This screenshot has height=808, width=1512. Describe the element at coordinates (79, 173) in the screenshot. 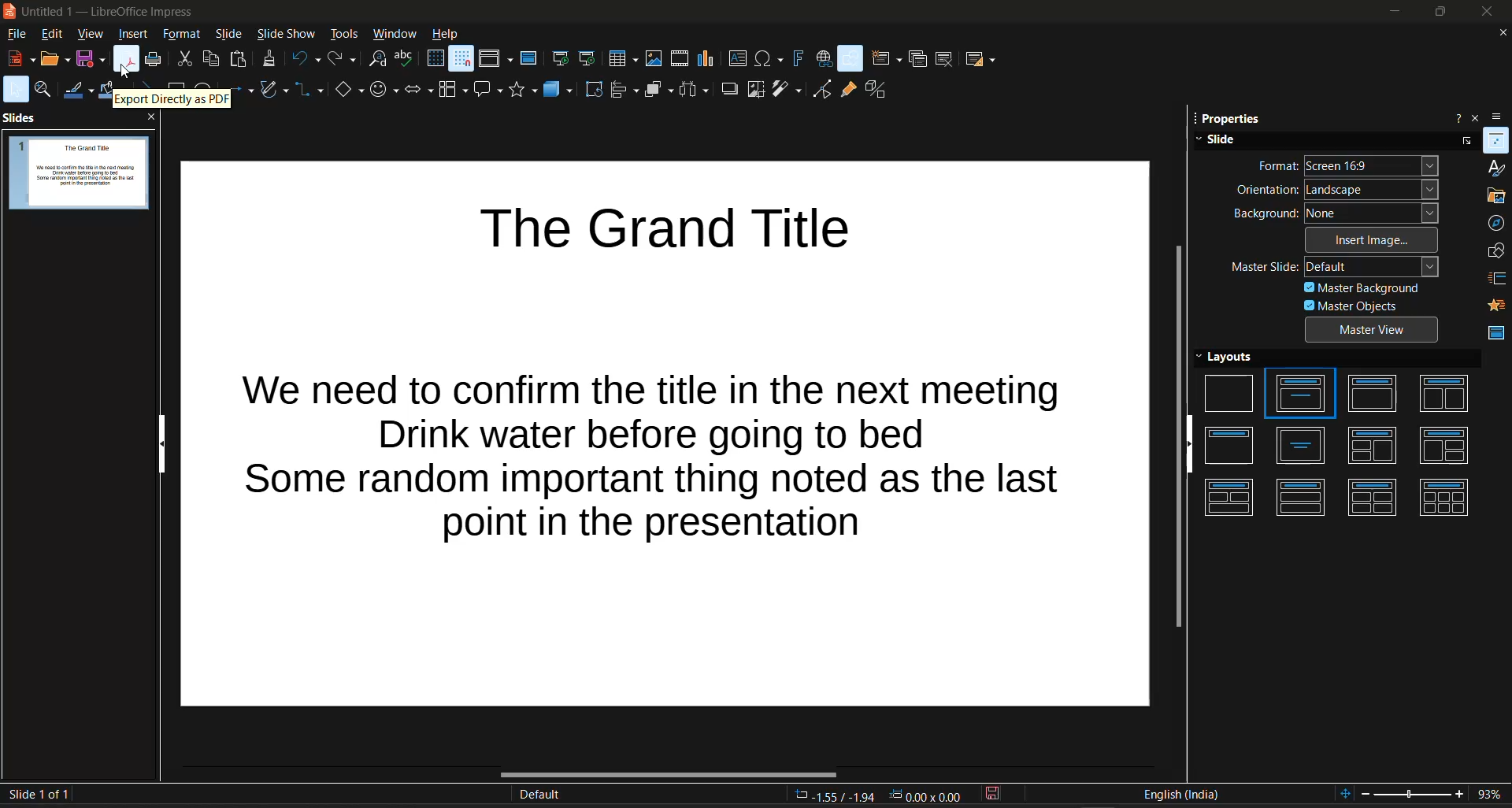

I see `slide preview` at that location.